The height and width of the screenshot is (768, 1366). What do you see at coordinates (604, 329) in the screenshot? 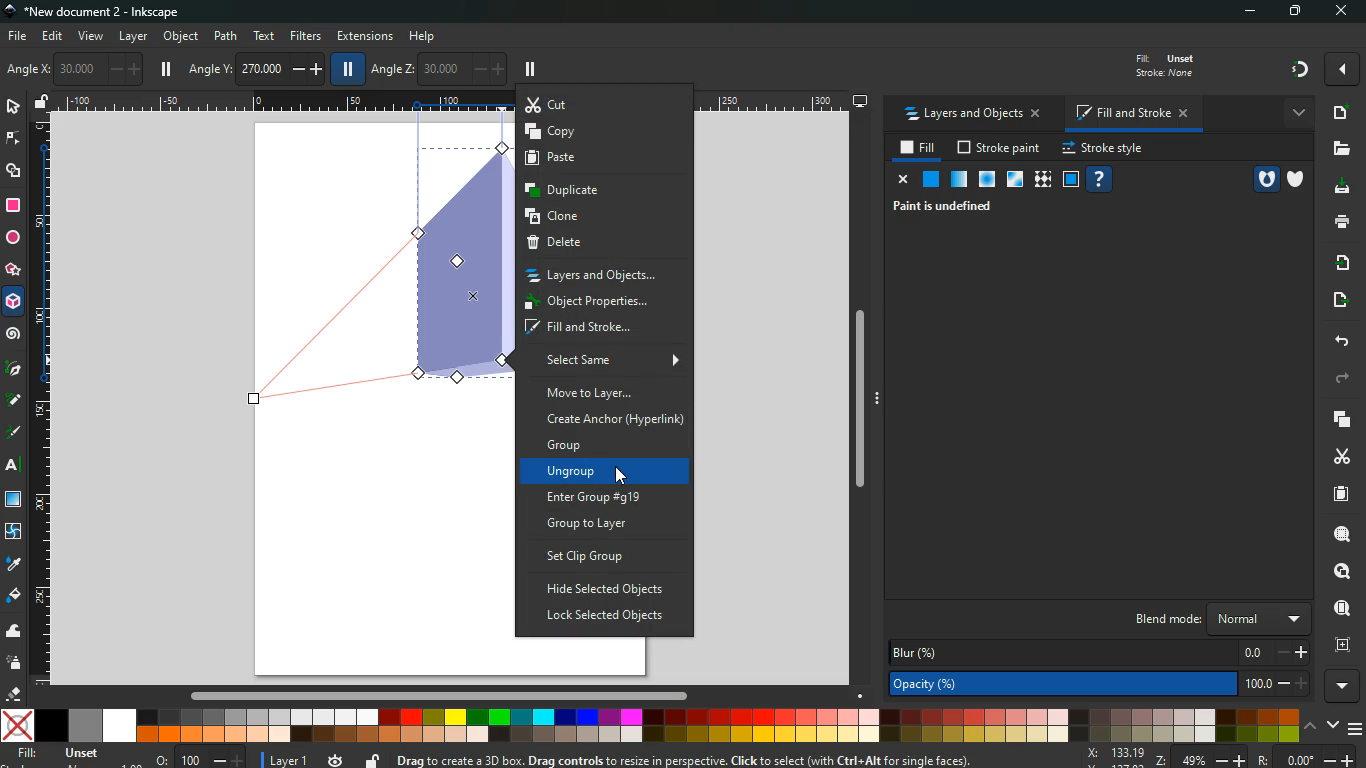
I see `fill and stroke` at bounding box center [604, 329].